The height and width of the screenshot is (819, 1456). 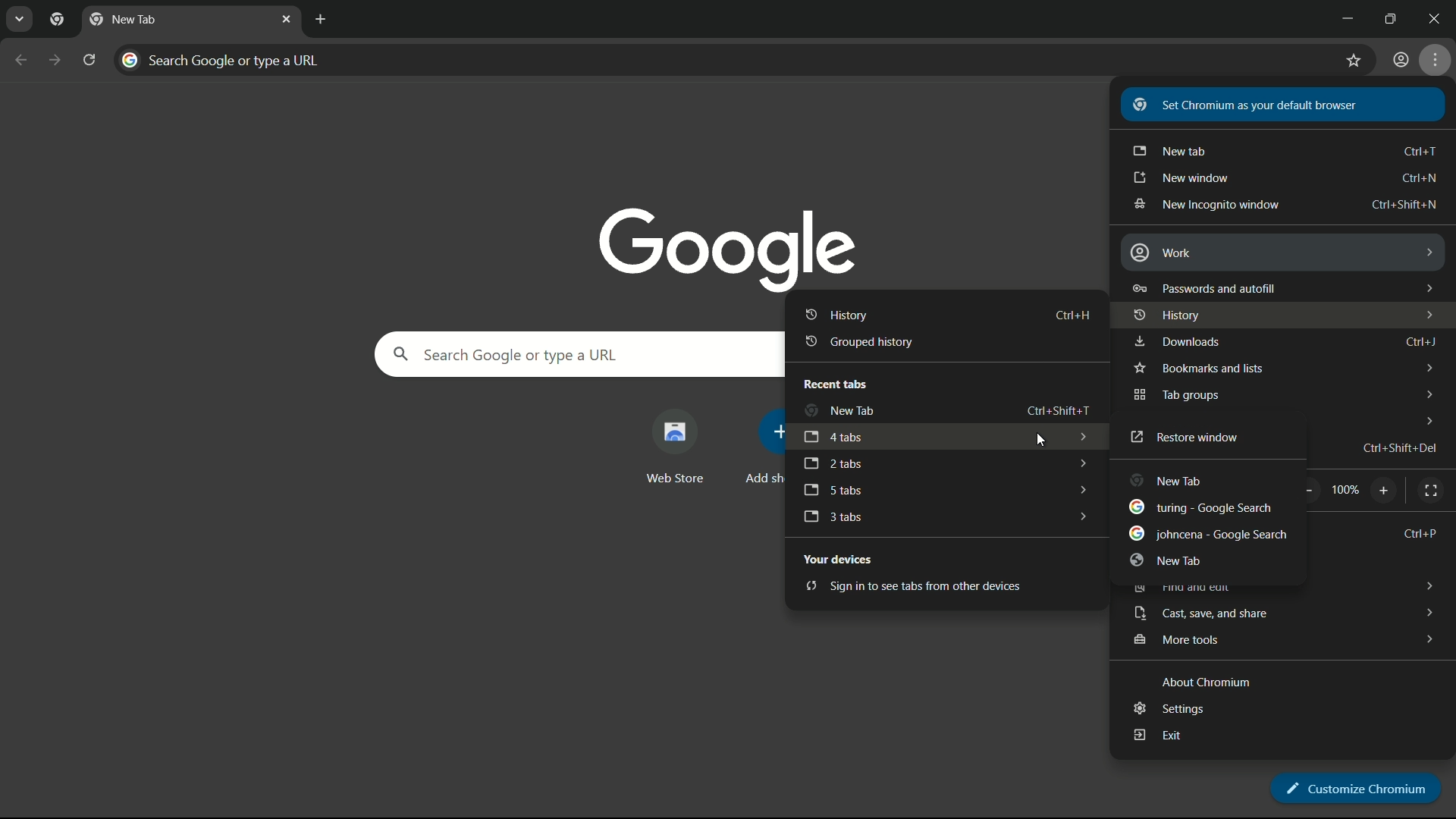 What do you see at coordinates (1041, 439) in the screenshot?
I see `cursor` at bounding box center [1041, 439].